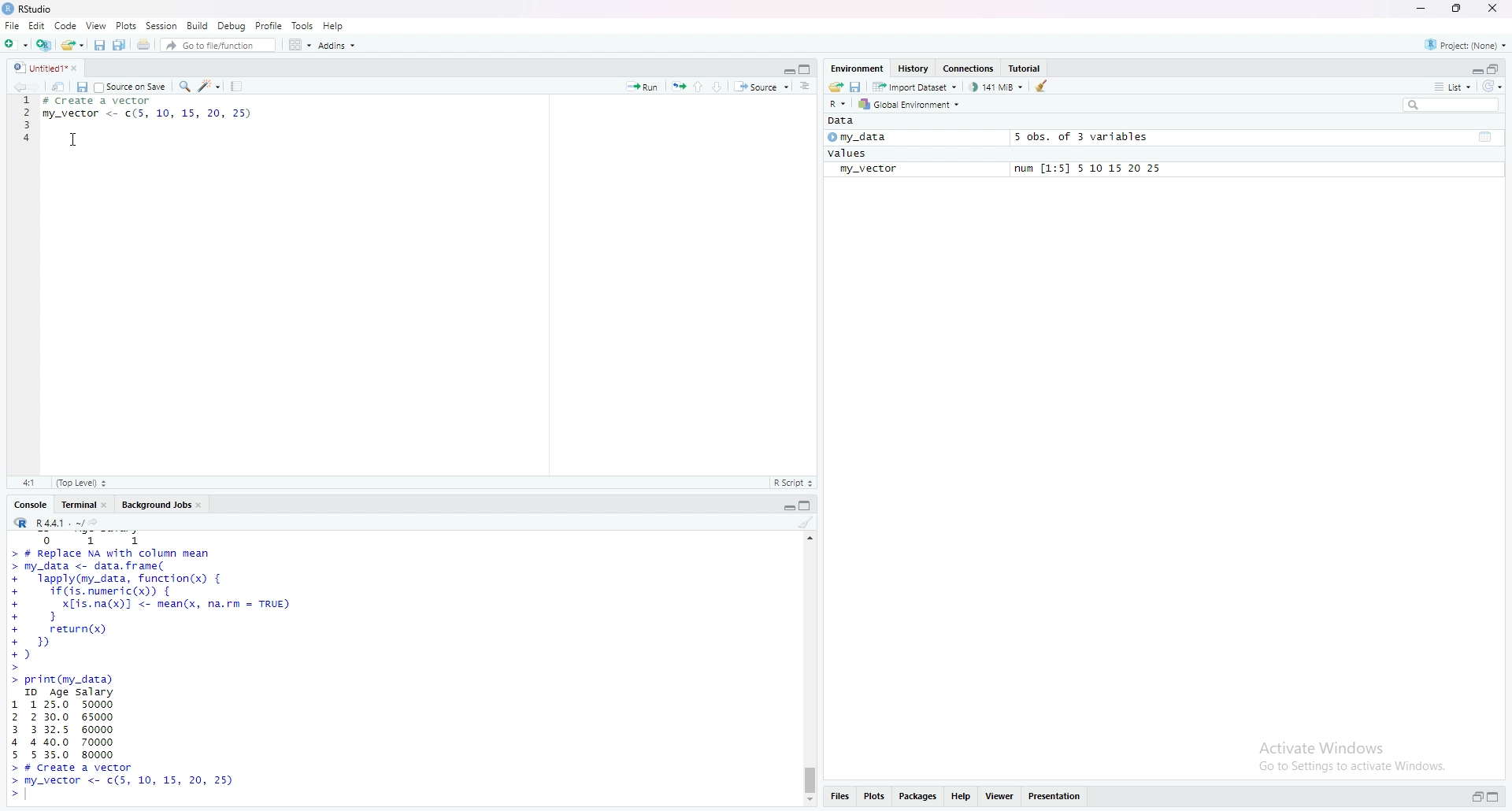 This screenshot has height=811, width=1512. Describe the element at coordinates (1027, 67) in the screenshot. I see `Tutorial` at that location.